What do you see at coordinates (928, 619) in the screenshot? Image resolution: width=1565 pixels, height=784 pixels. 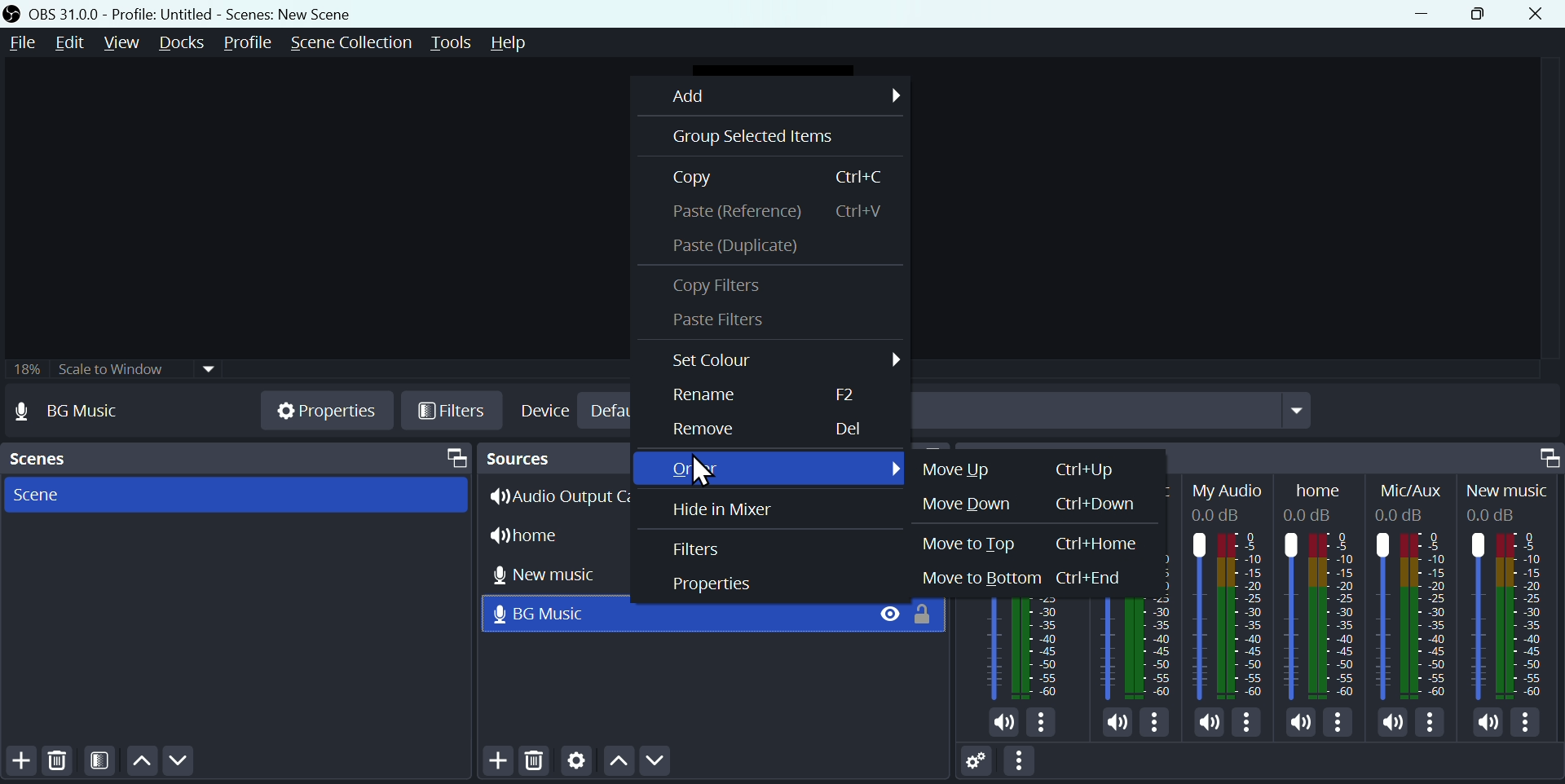 I see `Lock / unlock` at bounding box center [928, 619].